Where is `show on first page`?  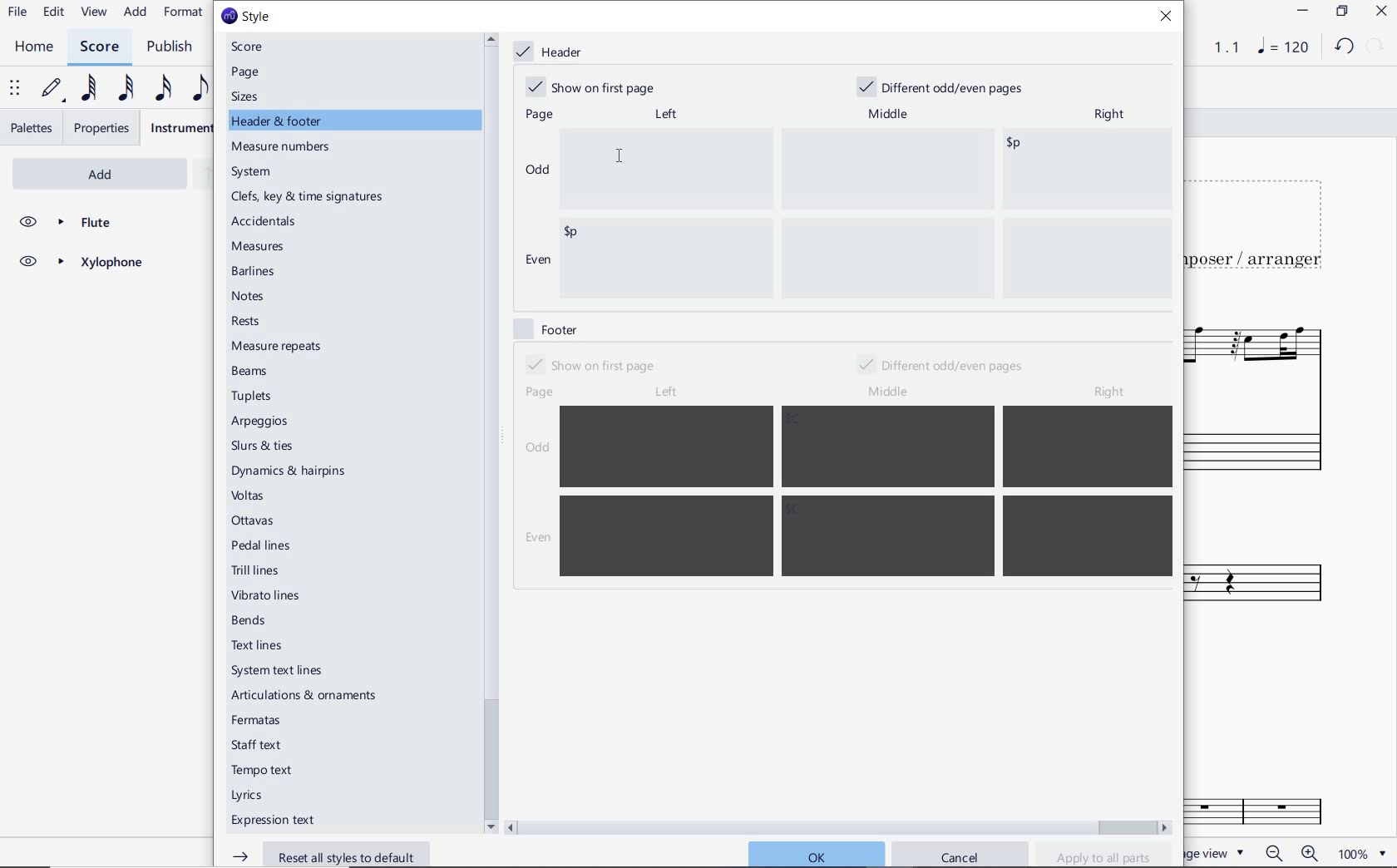 show on first page is located at coordinates (590, 364).